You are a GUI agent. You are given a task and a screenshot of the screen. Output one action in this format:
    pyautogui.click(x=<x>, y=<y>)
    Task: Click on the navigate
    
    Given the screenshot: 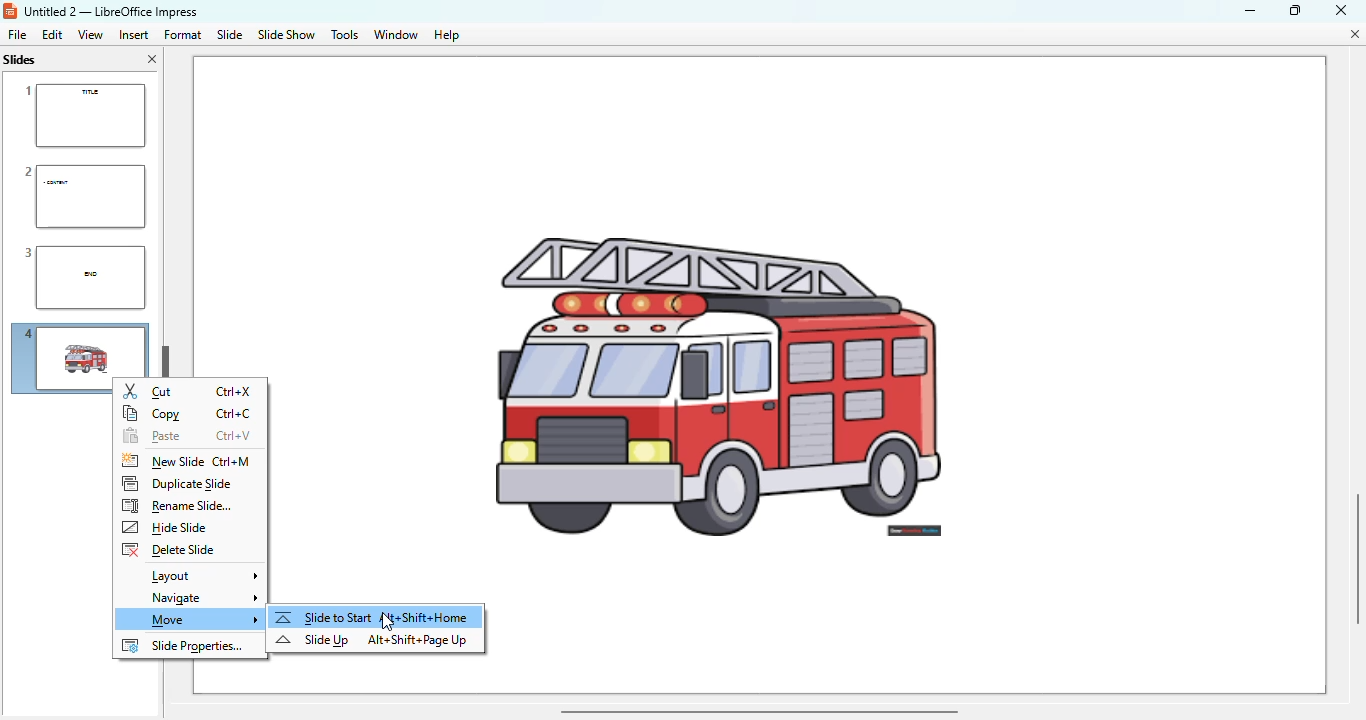 What is the action you would take?
    pyautogui.click(x=201, y=599)
    